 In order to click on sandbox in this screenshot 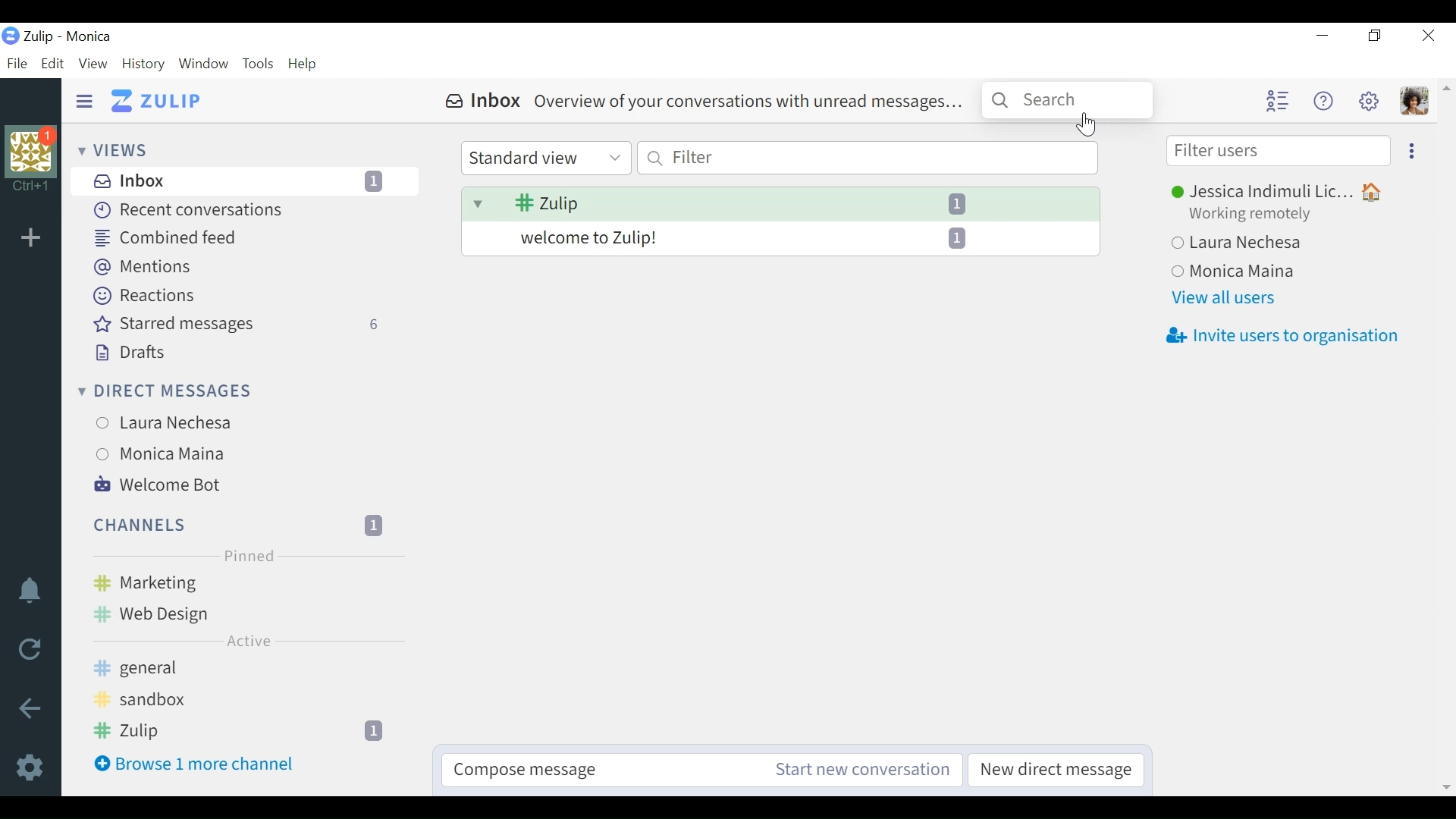, I will do `click(252, 695)`.